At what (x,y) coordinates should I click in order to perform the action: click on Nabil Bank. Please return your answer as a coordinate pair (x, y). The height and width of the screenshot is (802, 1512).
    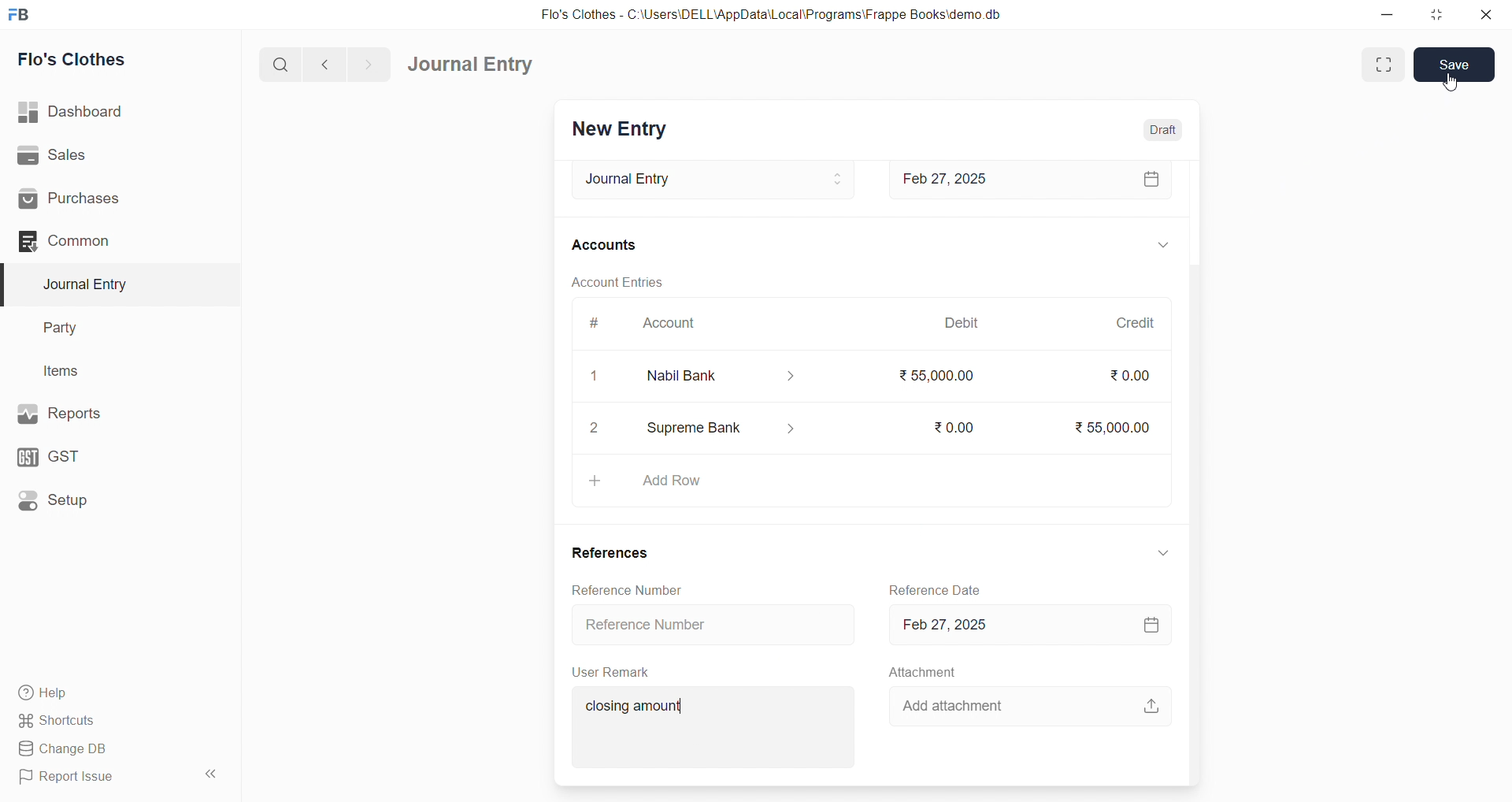
    Looking at the image, I should click on (732, 377).